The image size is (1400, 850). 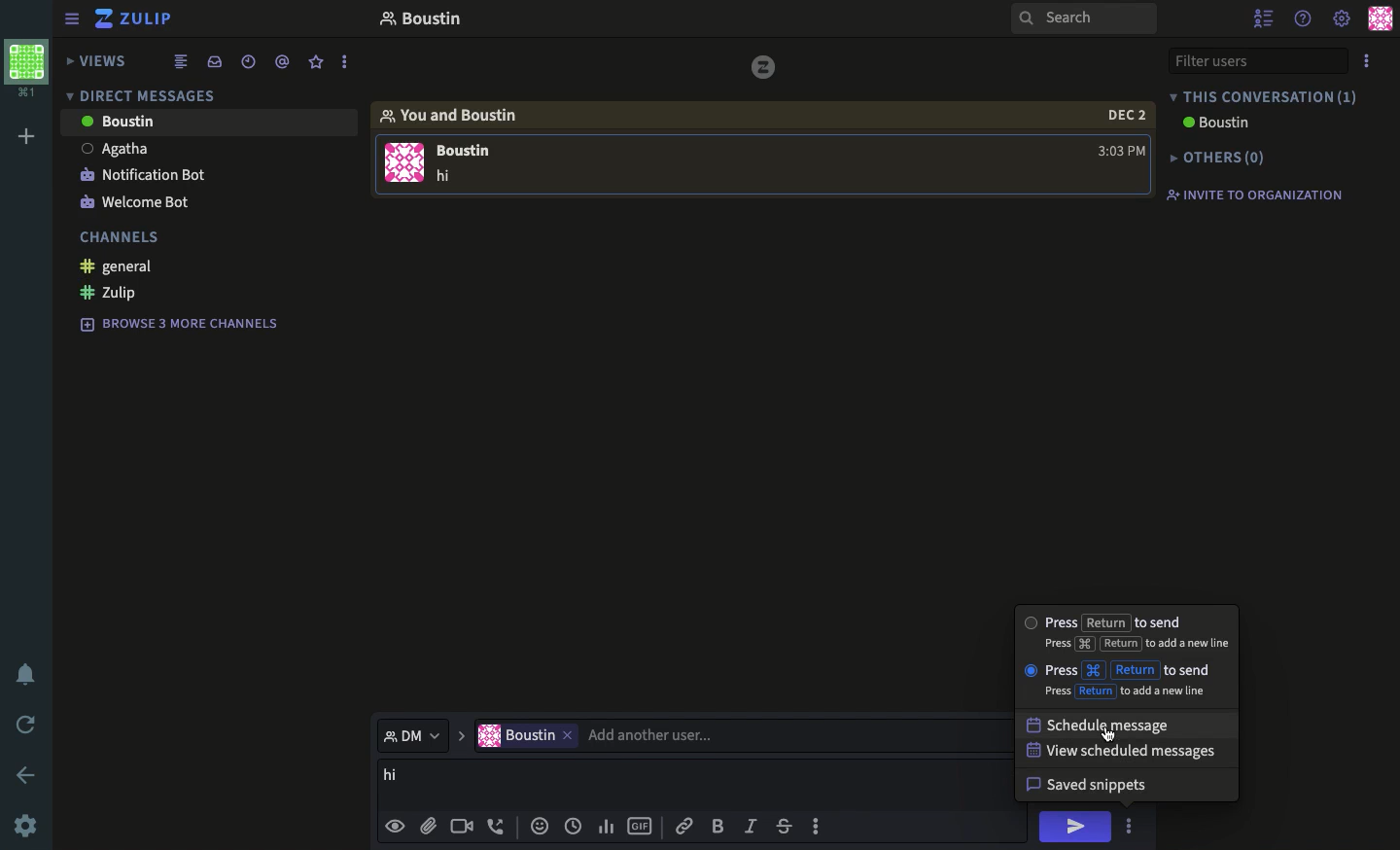 What do you see at coordinates (540, 824) in the screenshot?
I see `emojis` at bounding box center [540, 824].